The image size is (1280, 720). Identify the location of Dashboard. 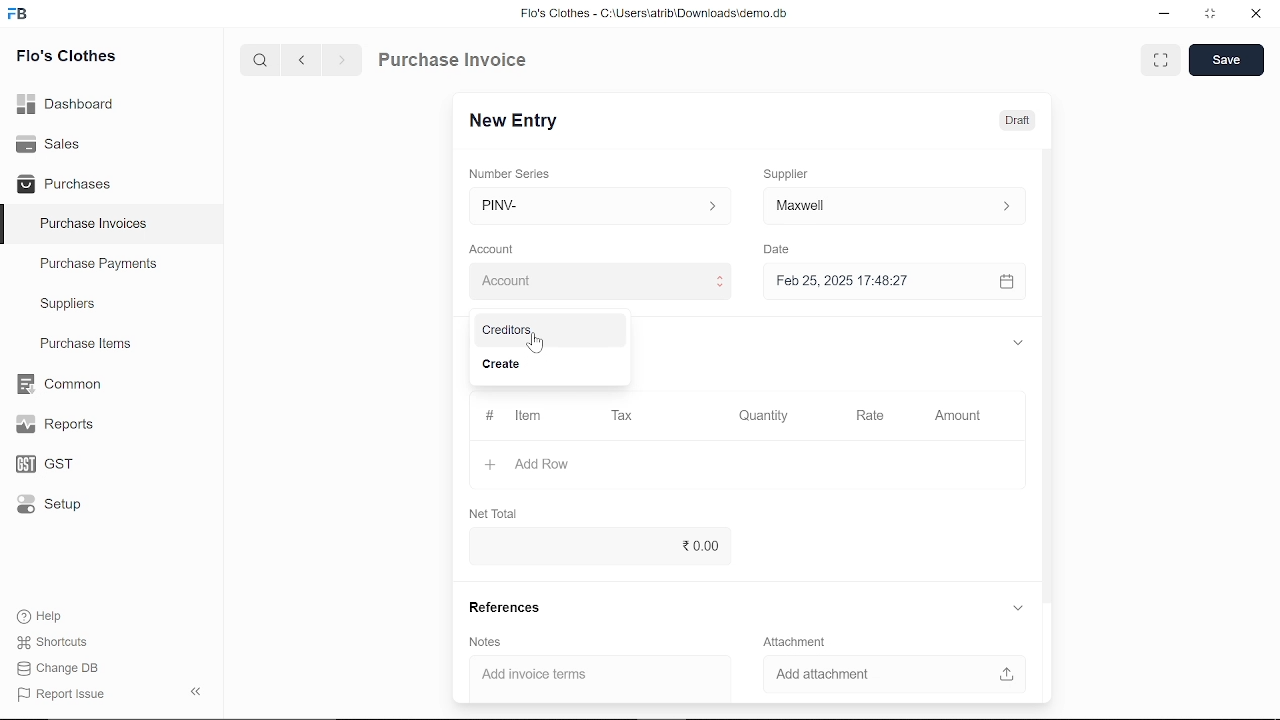
(66, 102).